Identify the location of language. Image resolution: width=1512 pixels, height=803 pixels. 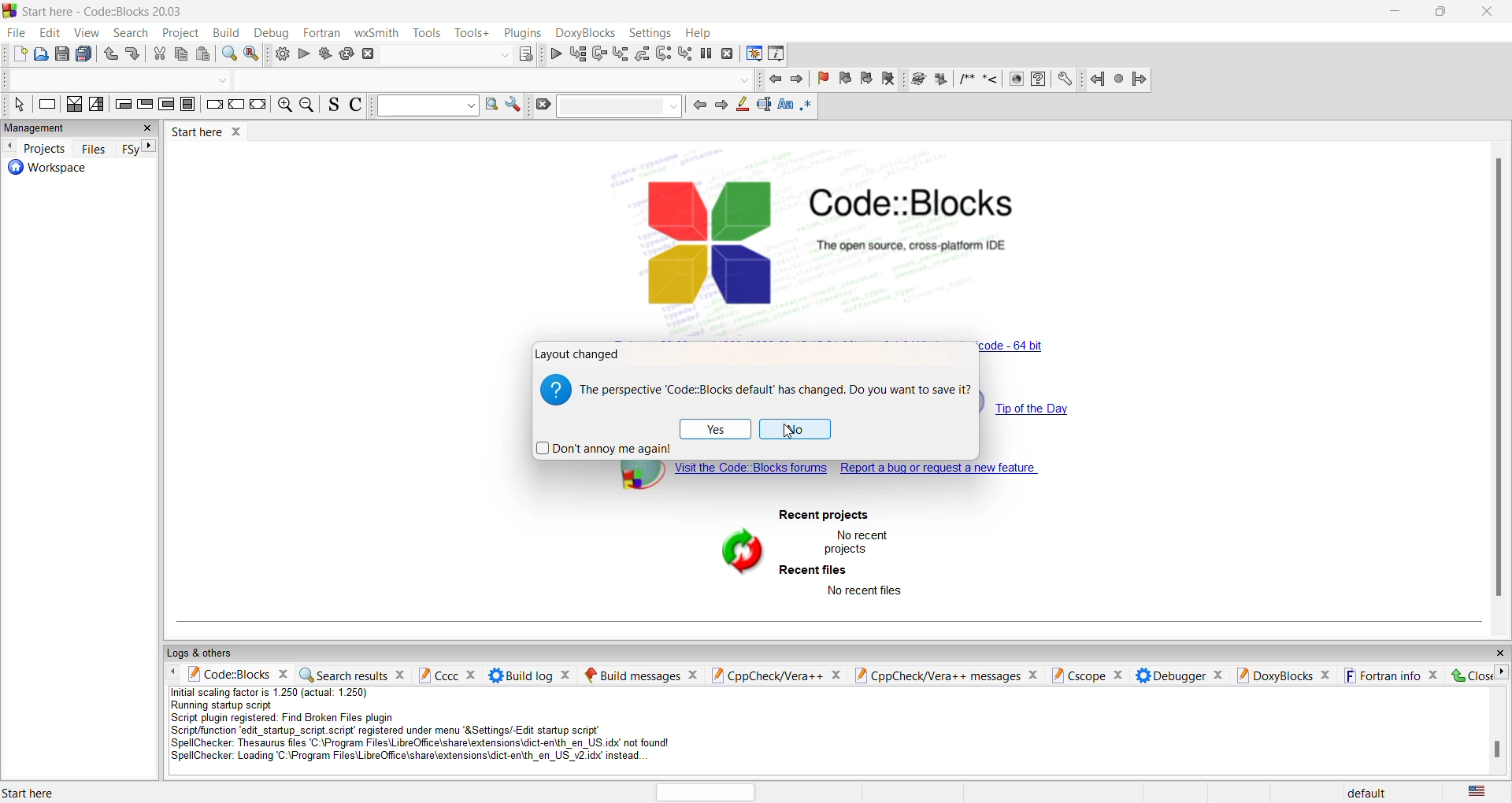
(1476, 792).